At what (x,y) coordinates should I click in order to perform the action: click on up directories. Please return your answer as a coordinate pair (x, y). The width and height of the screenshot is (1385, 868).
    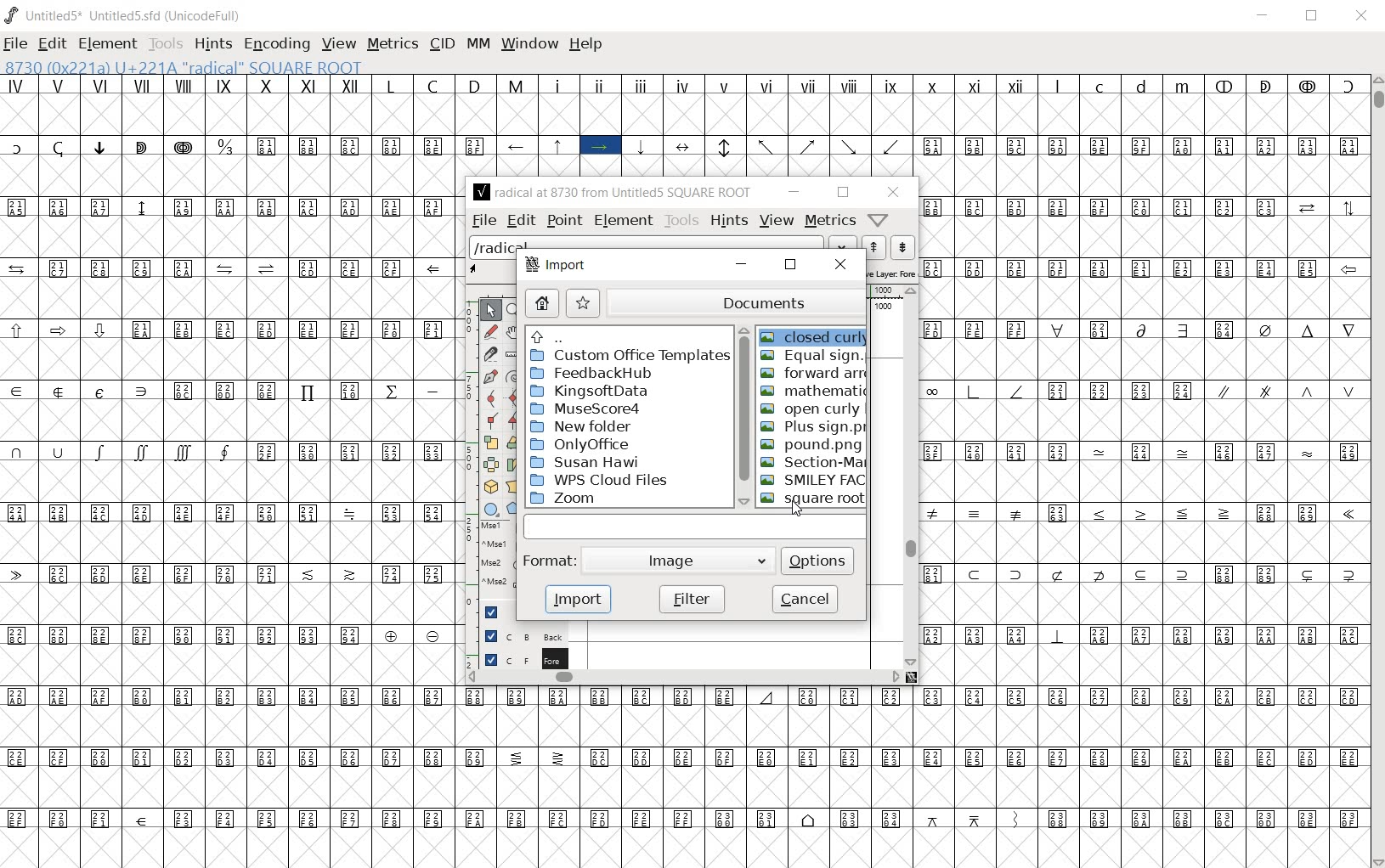
    Looking at the image, I should click on (627, 335).